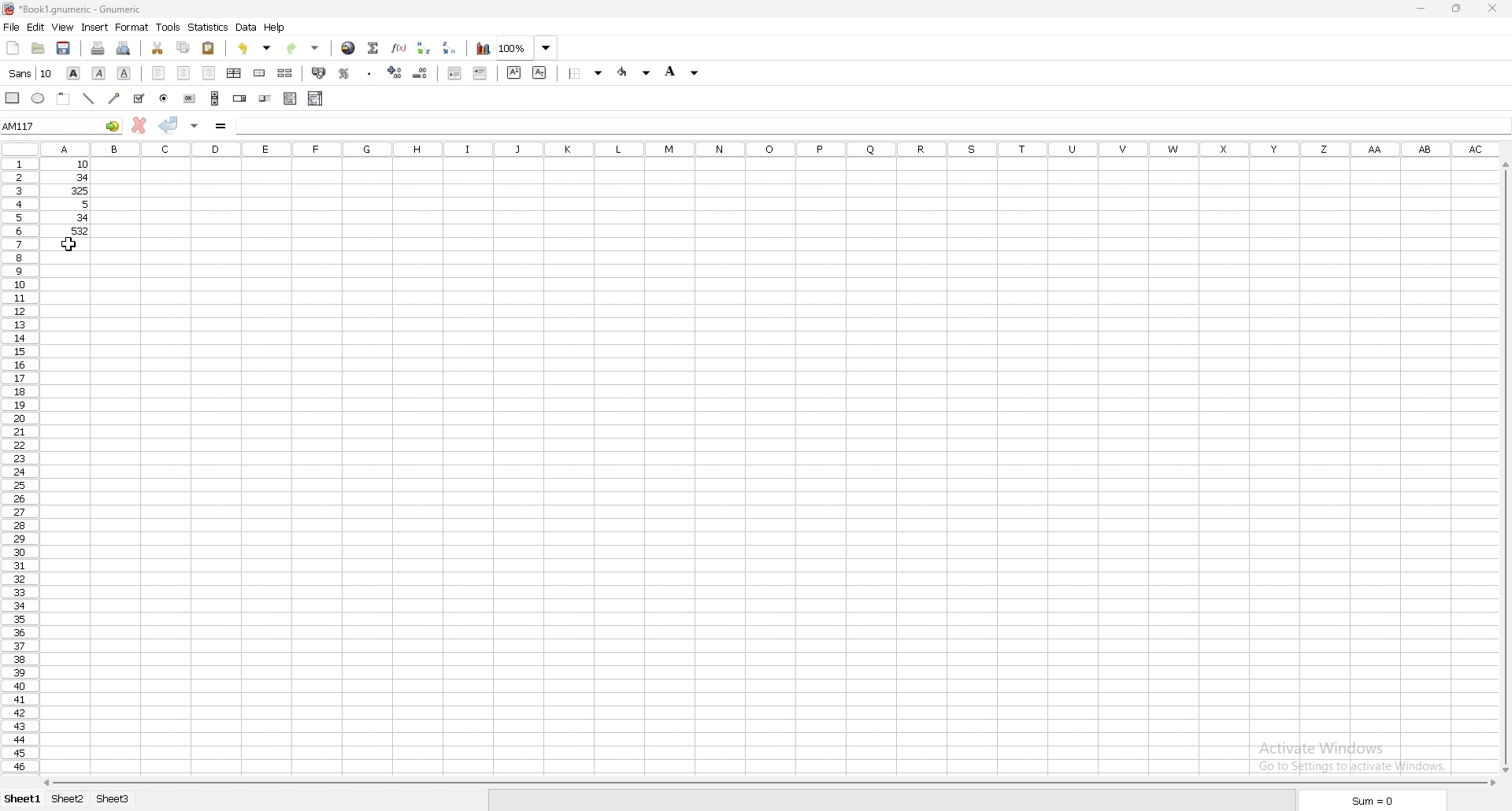 This screenshot has width=1512, height=811. What do you see at coordinates (871, 124) in the screenshot?
I see `cell input` at bounding box center [871, 124].